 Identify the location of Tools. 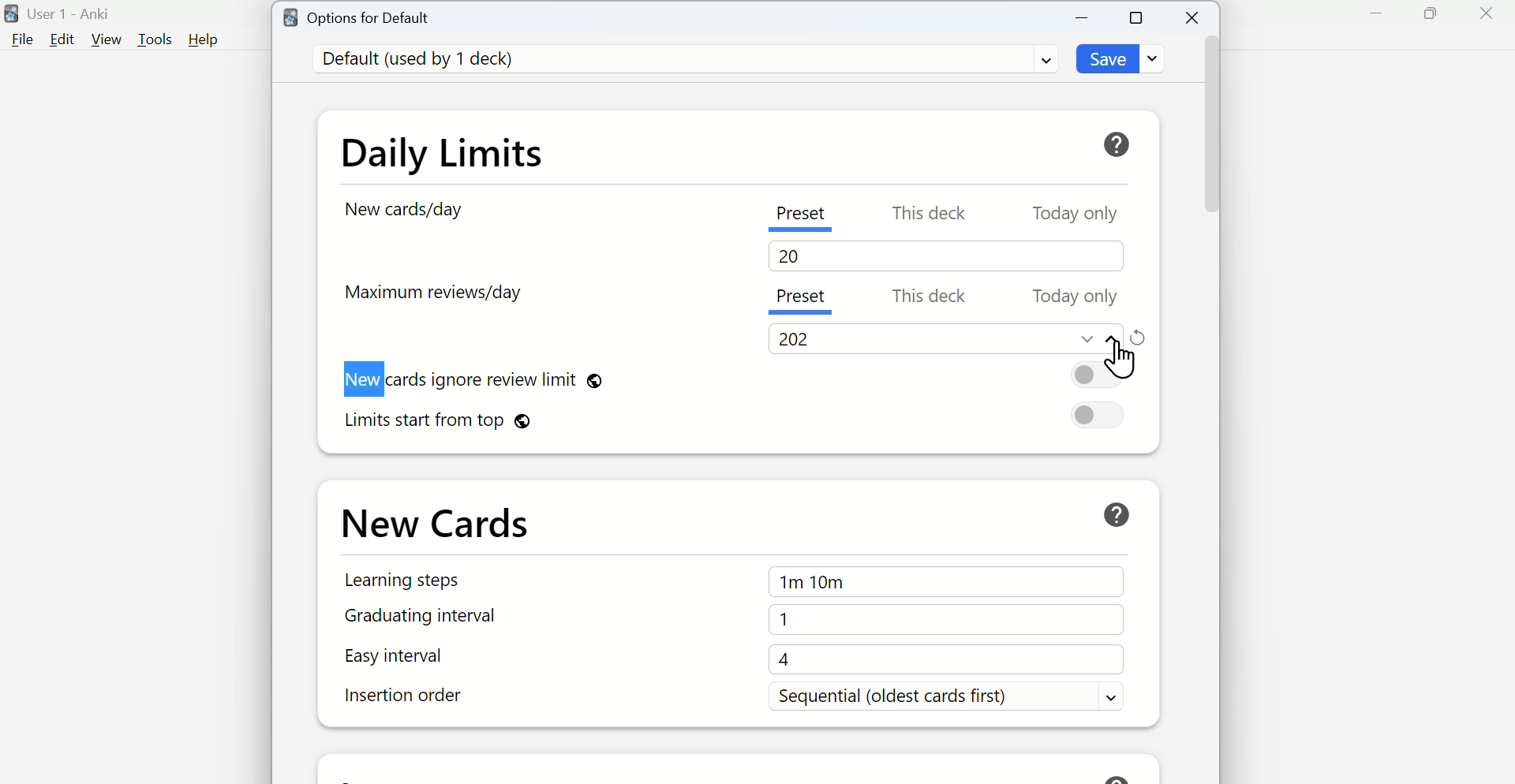
(157, 39).